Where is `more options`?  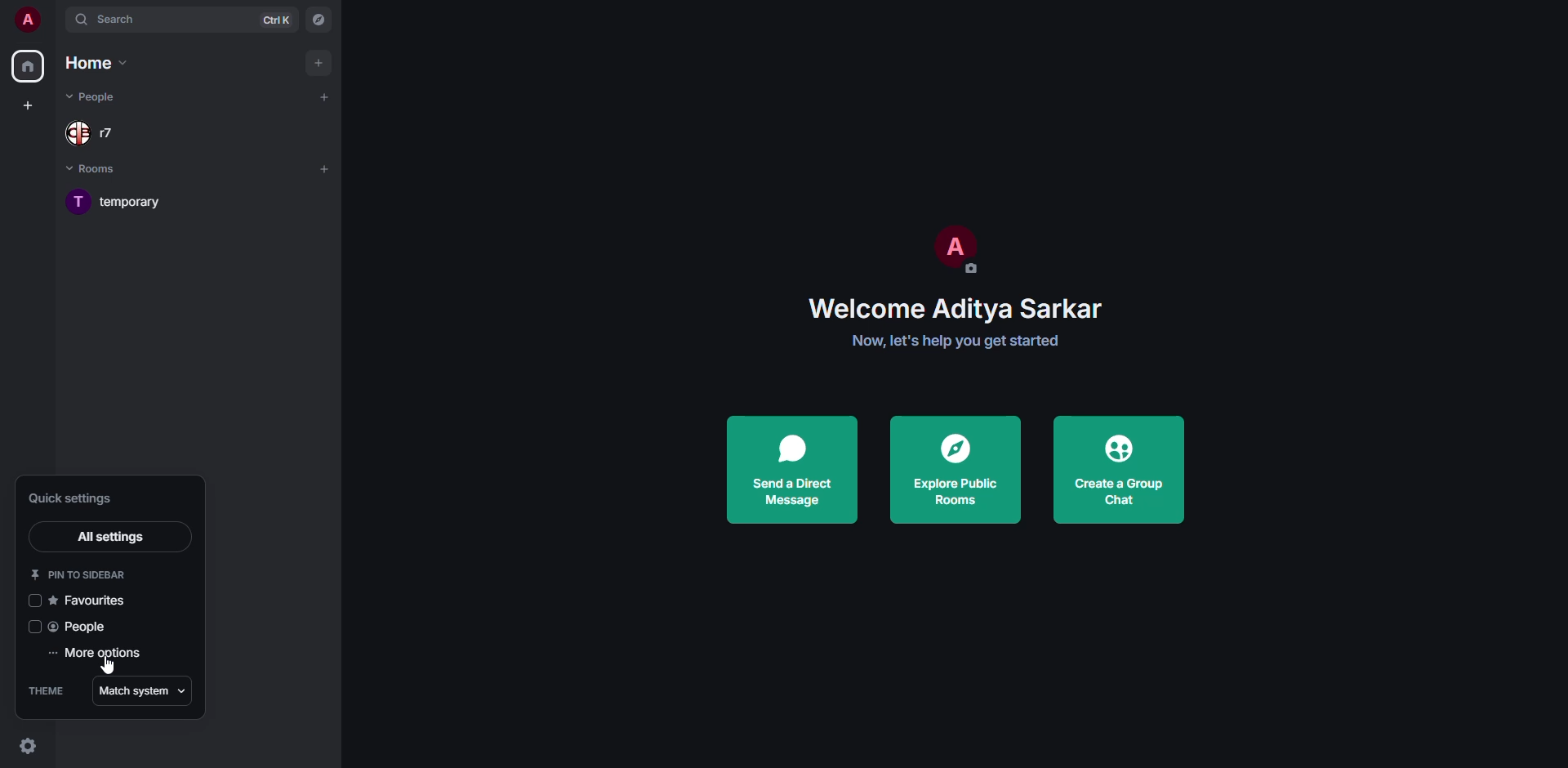
more options is located at coordinates (93, 653).